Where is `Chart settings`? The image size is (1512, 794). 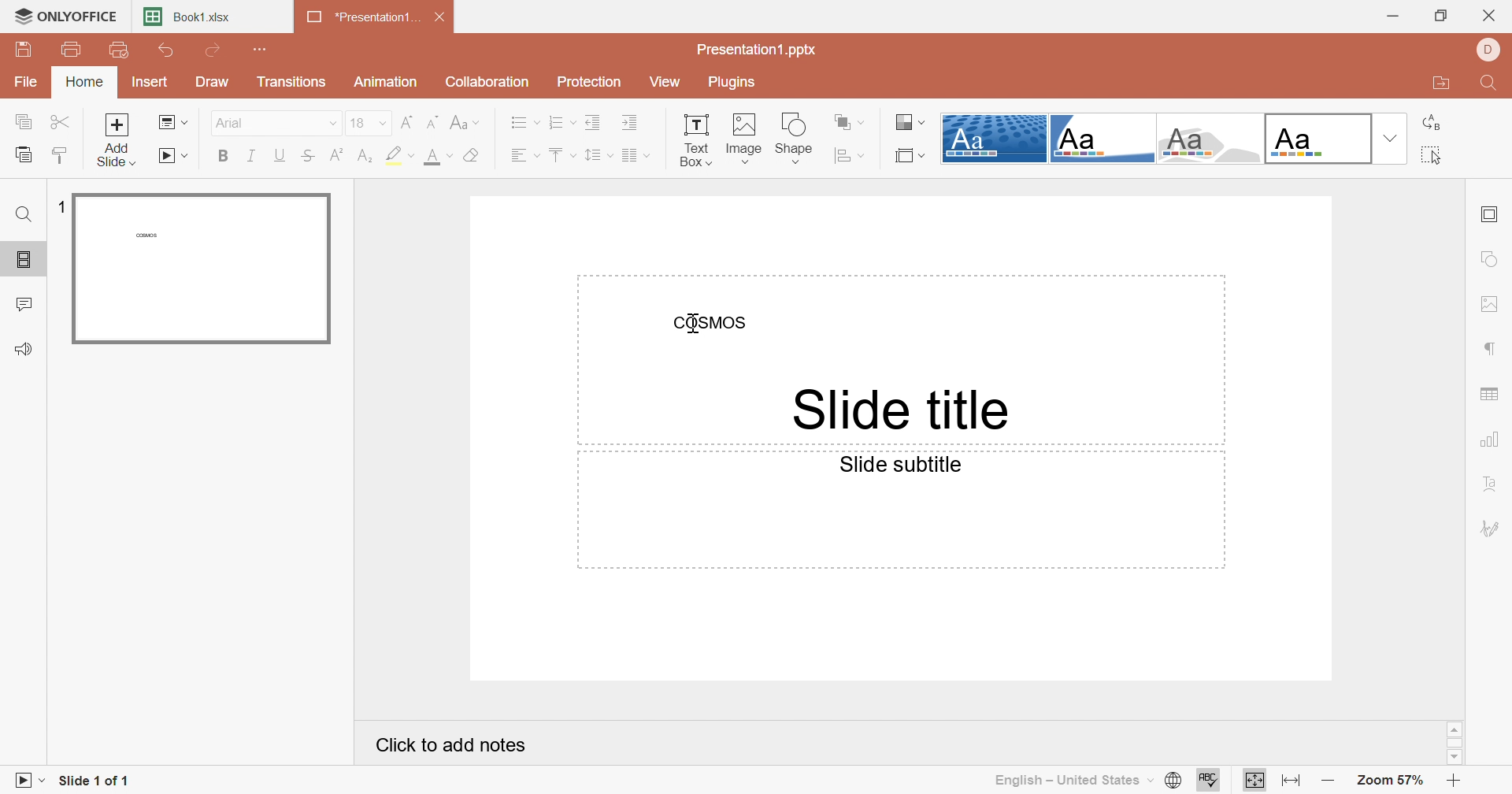
Chart settings is located at coordinates (1487, 438).